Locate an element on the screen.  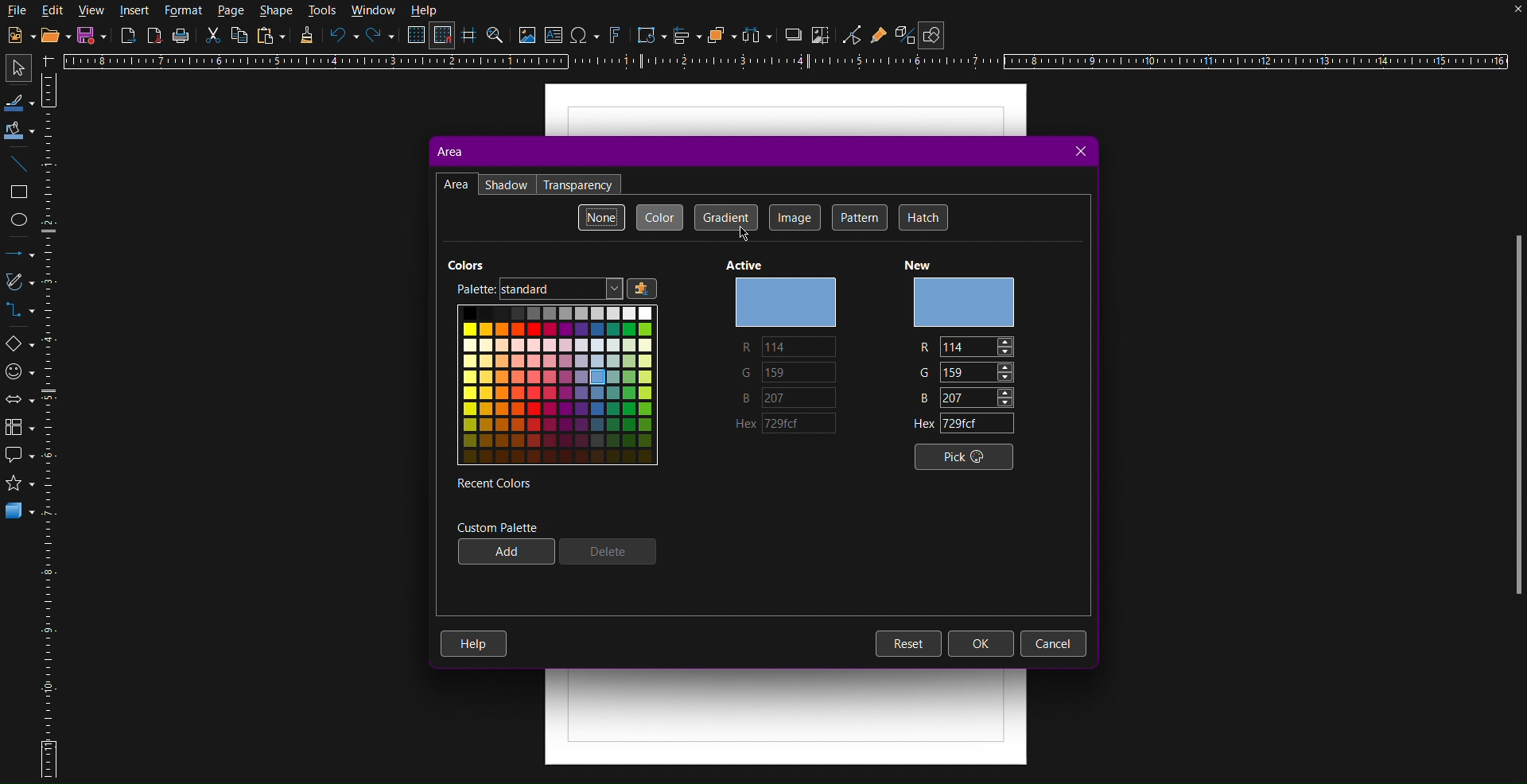
Open is located at coordinates (51, 35).